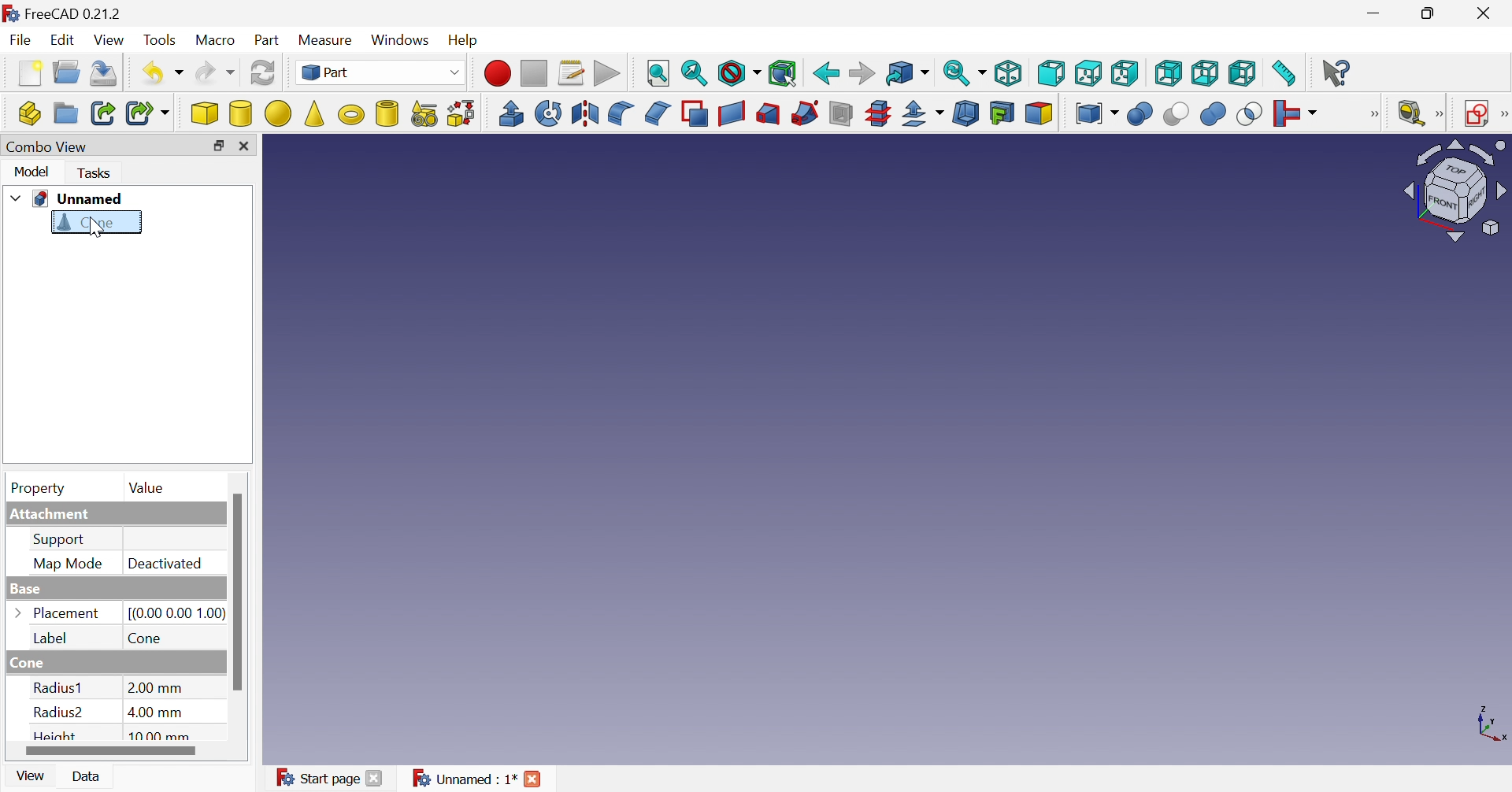 The height and width of the screenshot is (792, 1512). Describe the element at coordinates (325, 39) in the screenshot. I see `Measure` at that location.